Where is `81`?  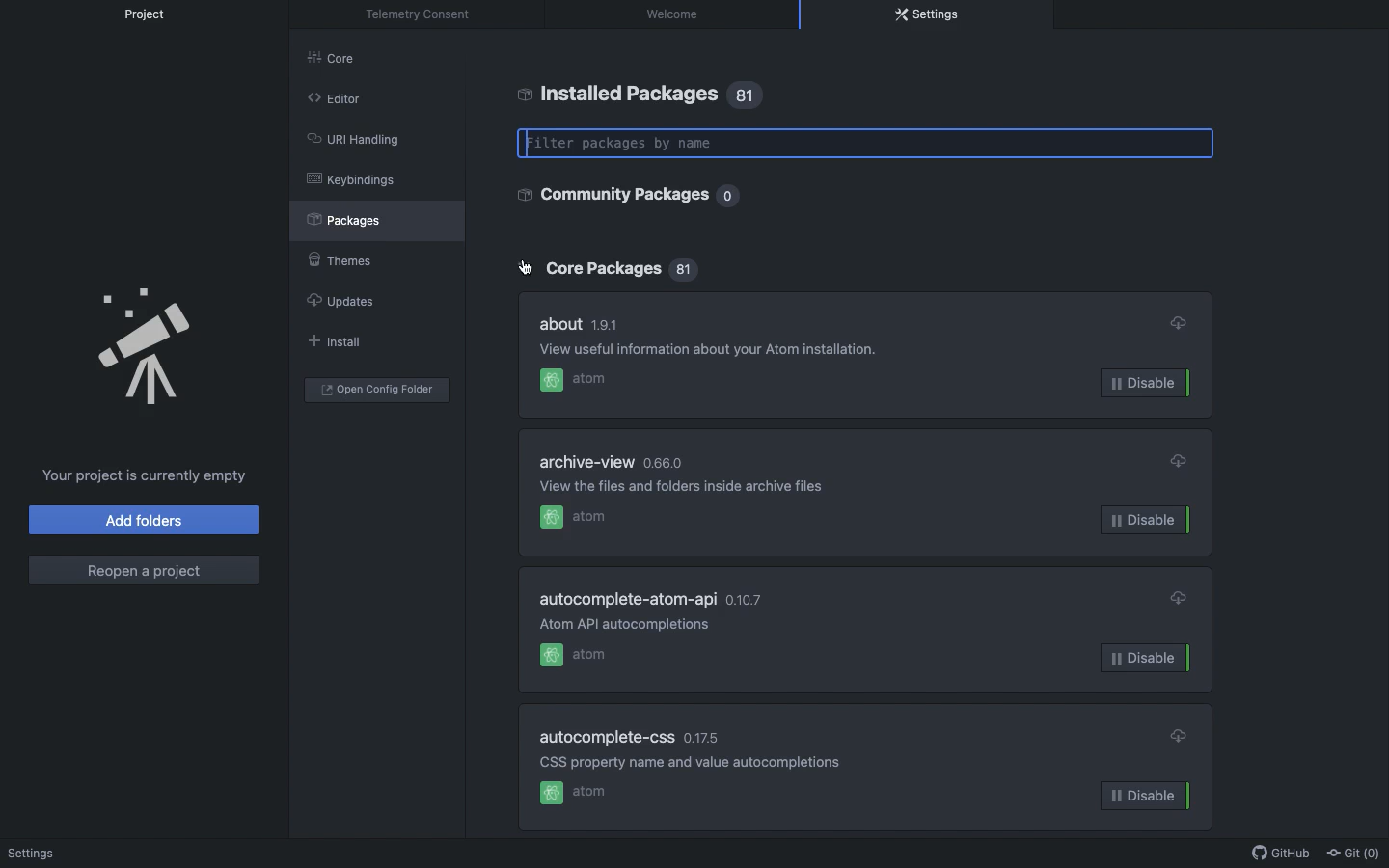 81 is located at coordinates (749, 95).